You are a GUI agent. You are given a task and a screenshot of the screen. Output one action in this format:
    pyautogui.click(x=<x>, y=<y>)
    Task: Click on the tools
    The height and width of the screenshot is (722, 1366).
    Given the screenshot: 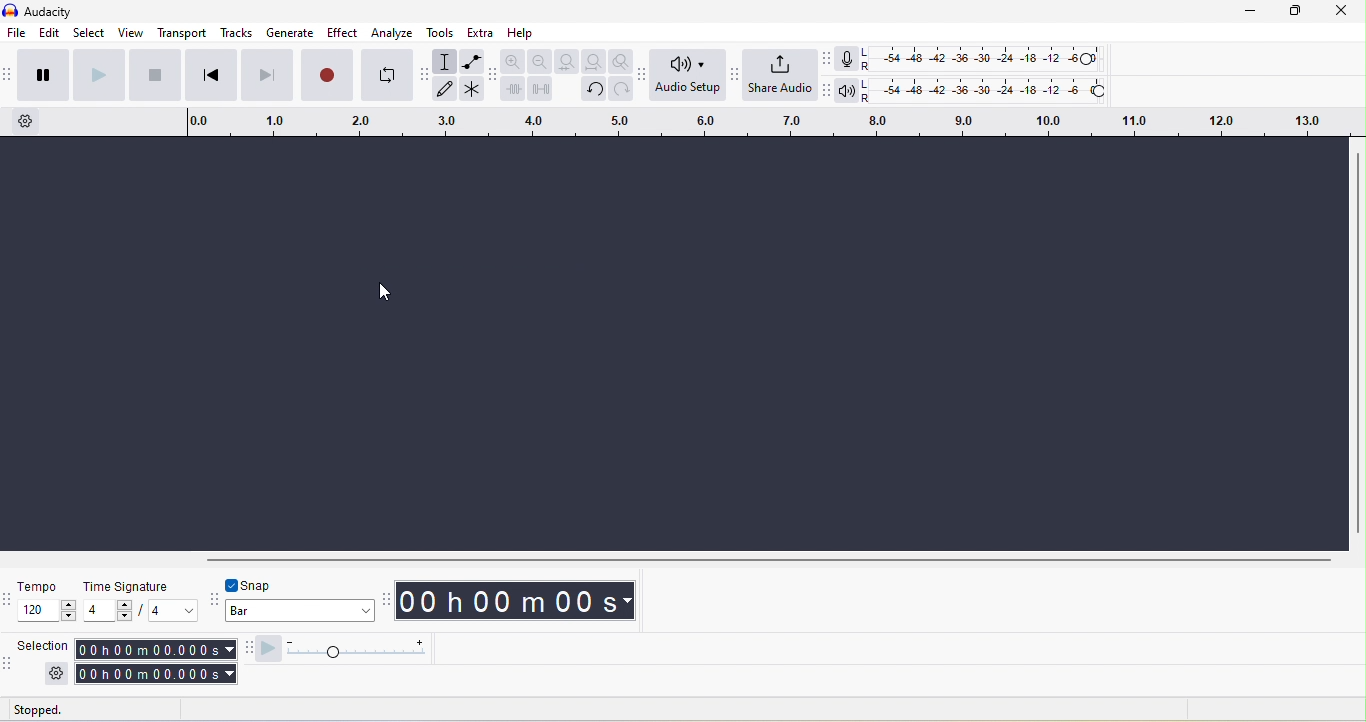 What is the action you would take?
    pyautogui.click(x=440, y=33)
    